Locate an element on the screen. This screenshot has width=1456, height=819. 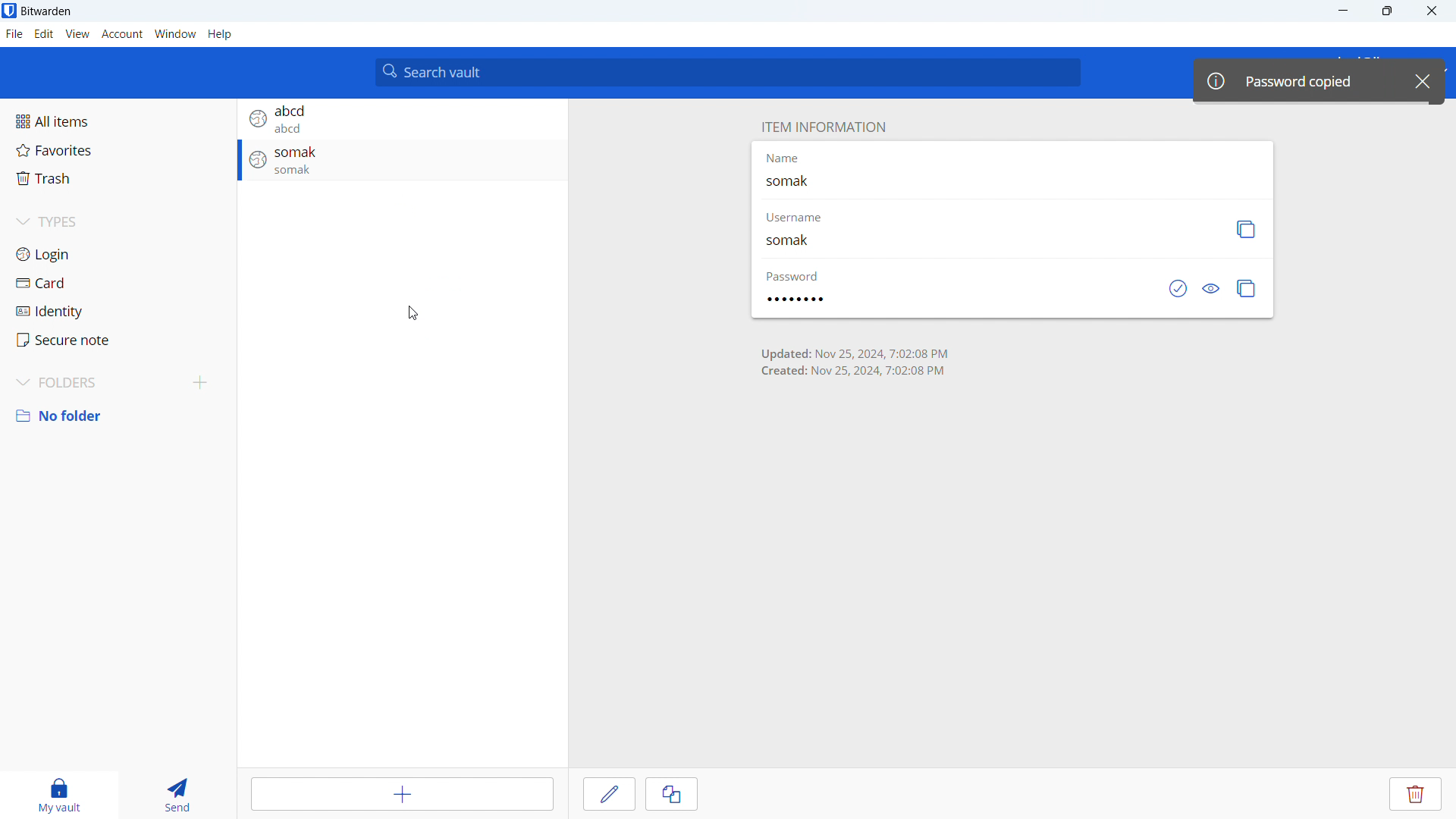
add folder is located at coordinates (199, 384).